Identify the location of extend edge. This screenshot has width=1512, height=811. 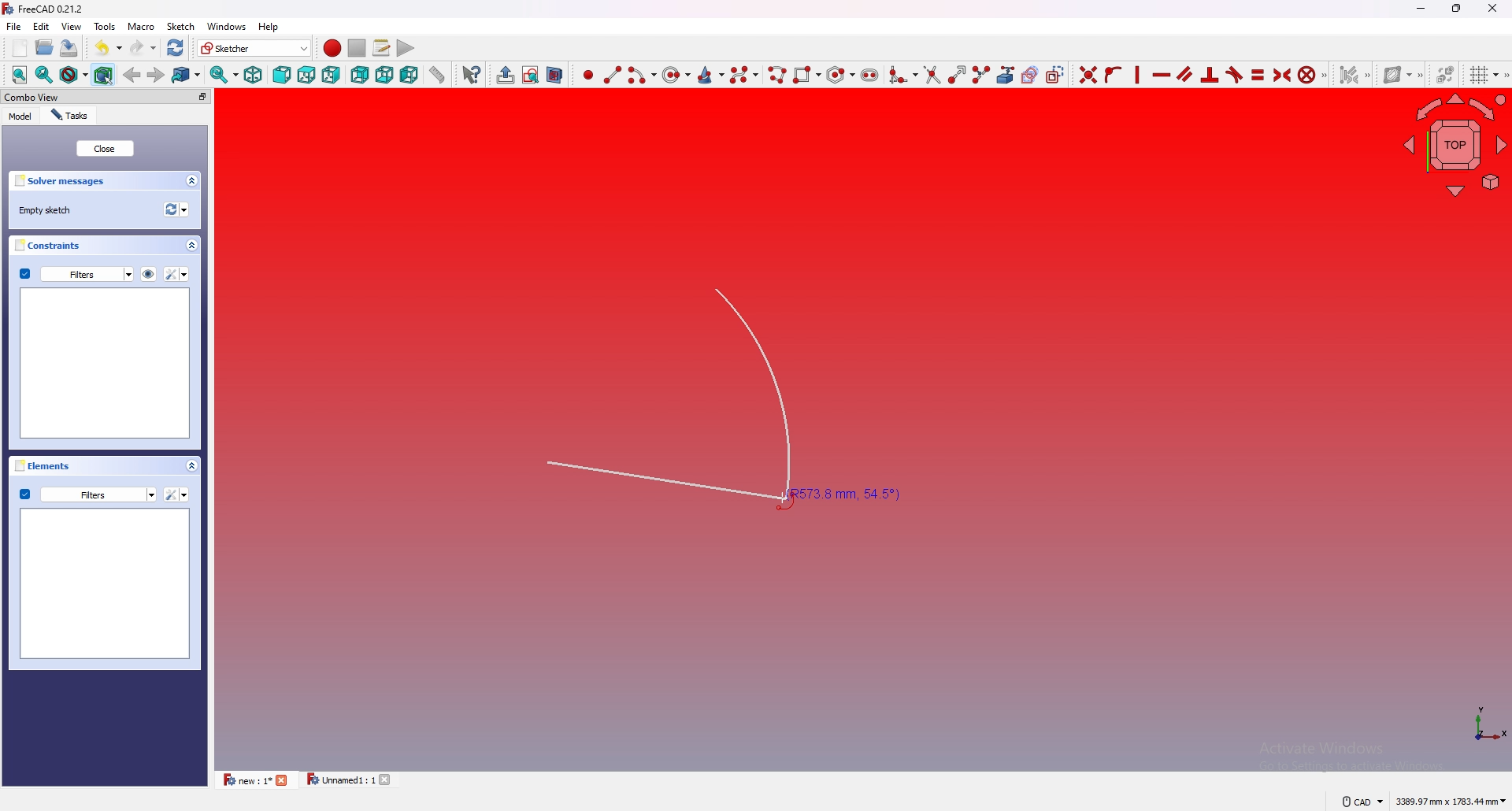
(954, 73).